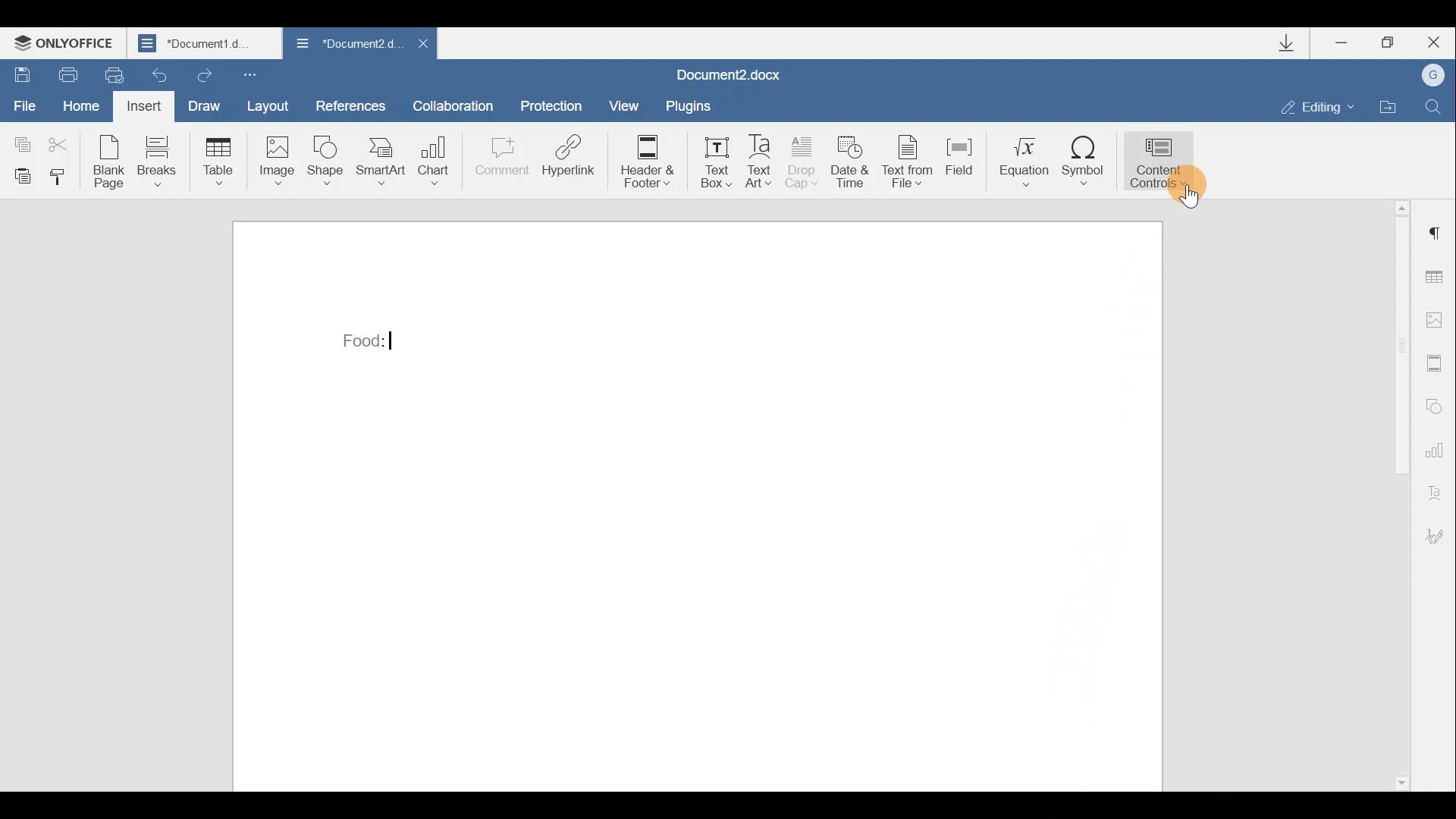 This screenshot has width=1456, height=819. I want to click on Document2 d.., so click(347, 46).